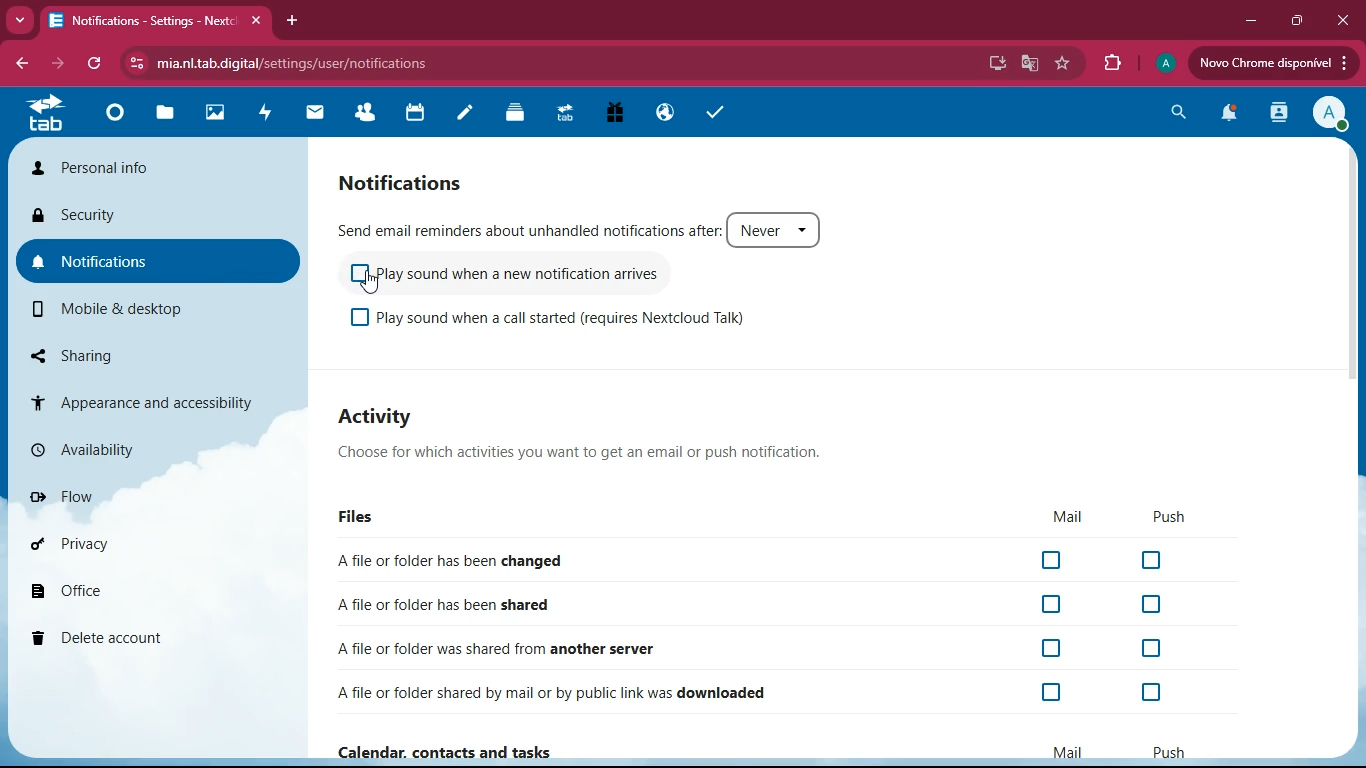 The image size is (1366, 768). I want to click on off, so click(1054, 649).